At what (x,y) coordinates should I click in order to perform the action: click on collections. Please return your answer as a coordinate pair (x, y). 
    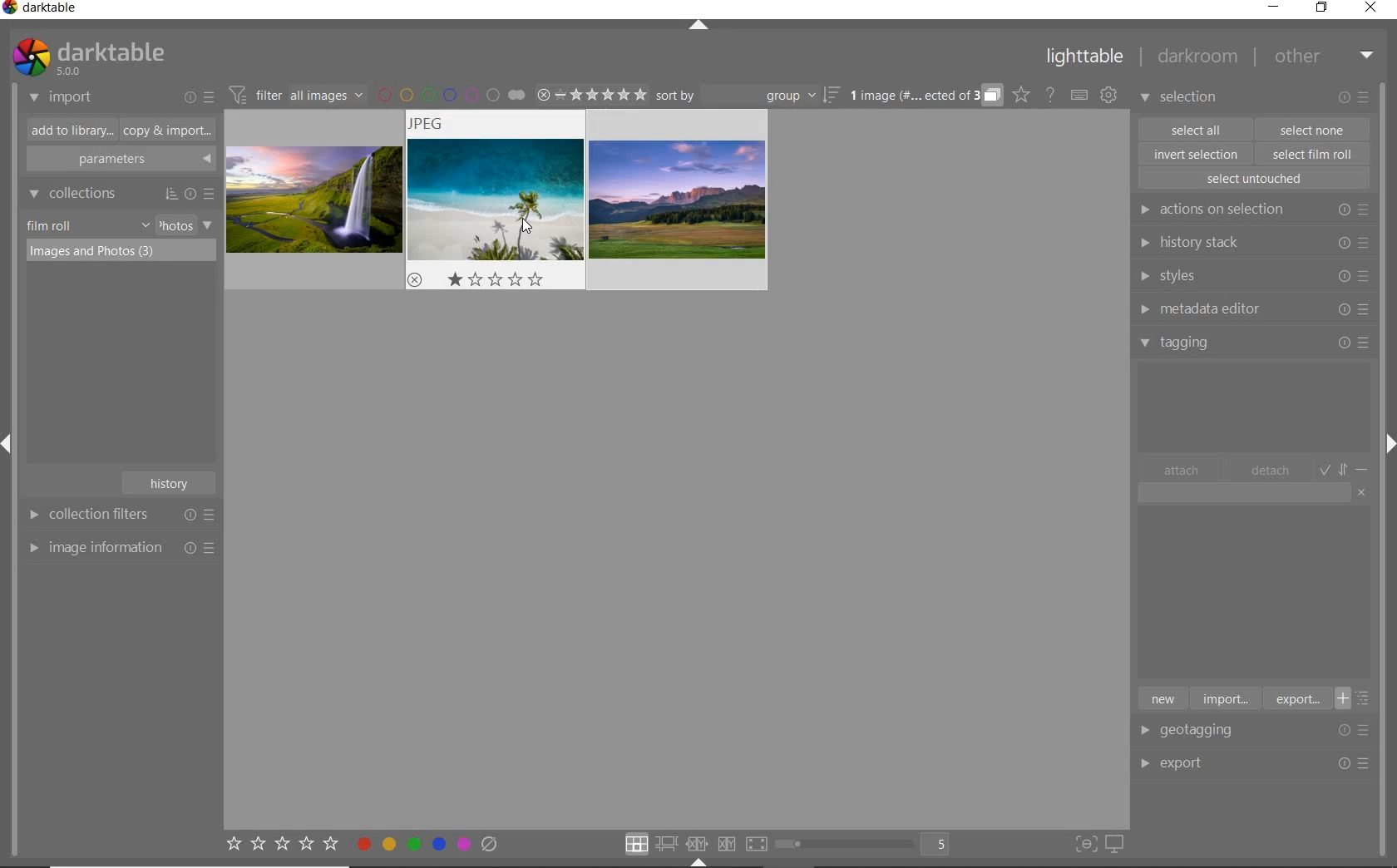
    Looking at the image, I should click on (119, 194).